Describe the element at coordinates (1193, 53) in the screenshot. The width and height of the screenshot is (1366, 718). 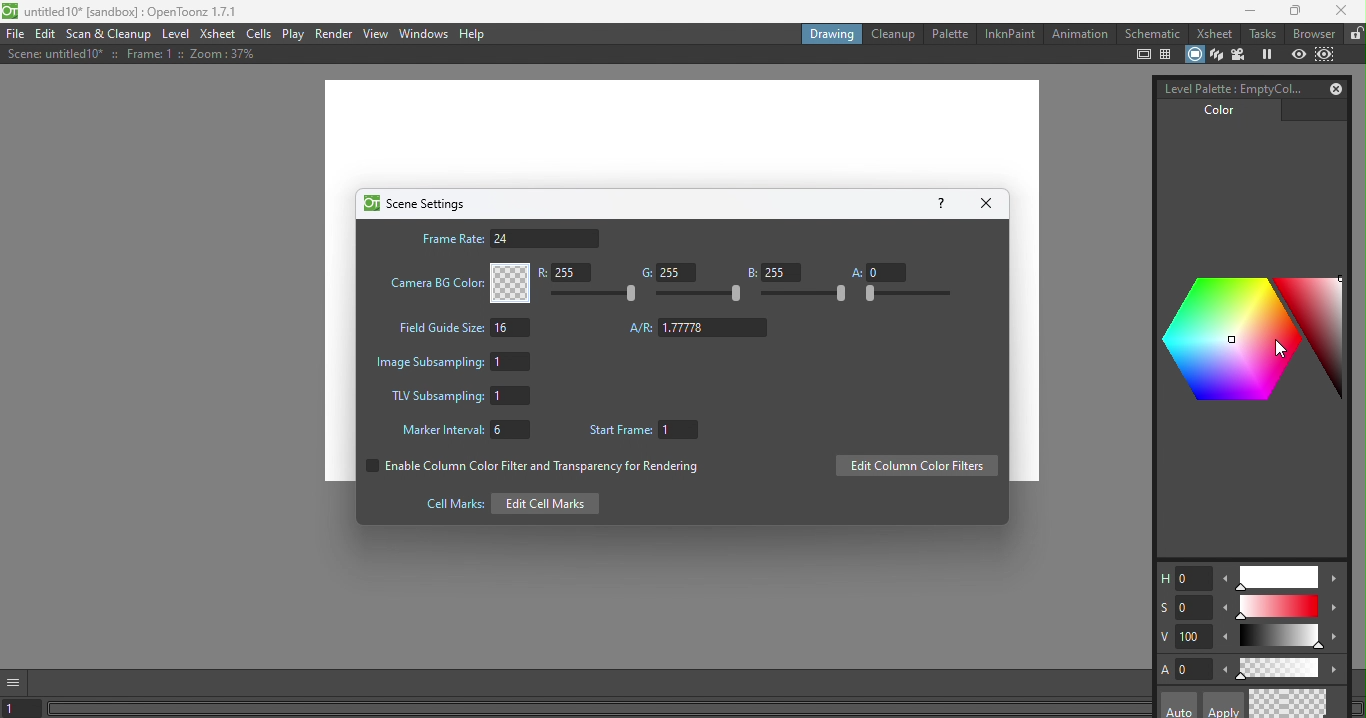
I see `Camera stand view` at that location.